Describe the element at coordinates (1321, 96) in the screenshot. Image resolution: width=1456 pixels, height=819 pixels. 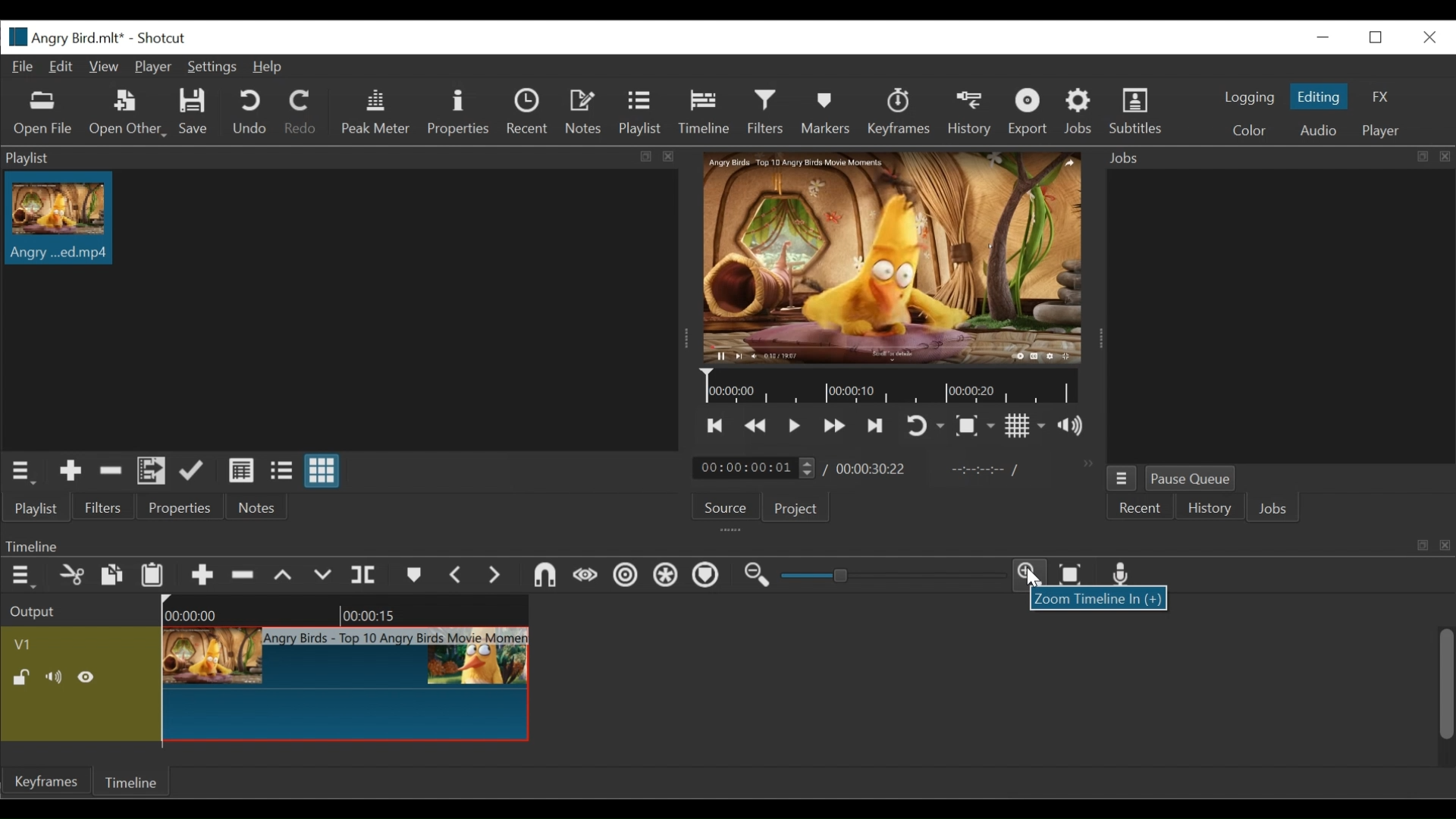
I see `Editing` at that location.